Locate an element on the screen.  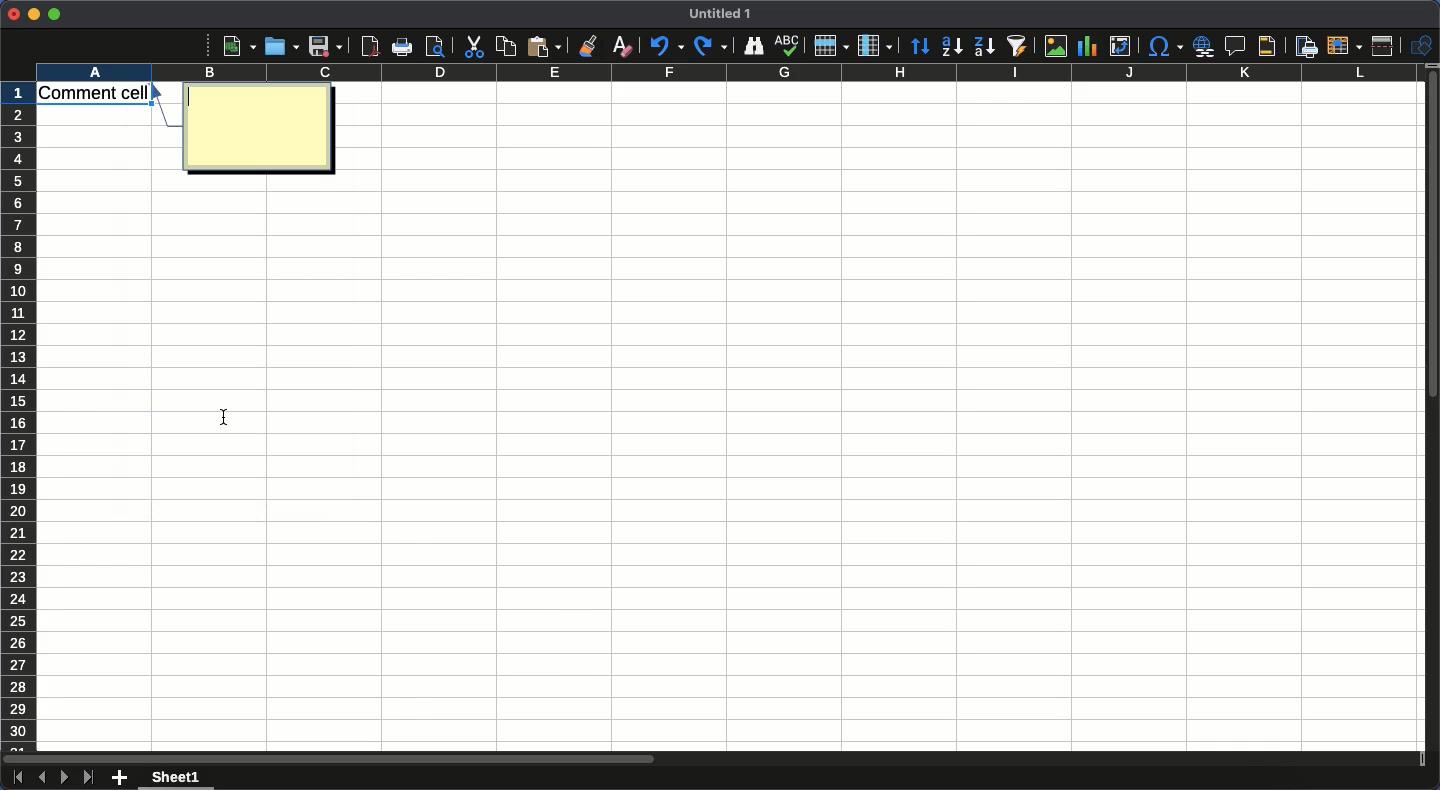
Character is located at coordinates (1165, 48).